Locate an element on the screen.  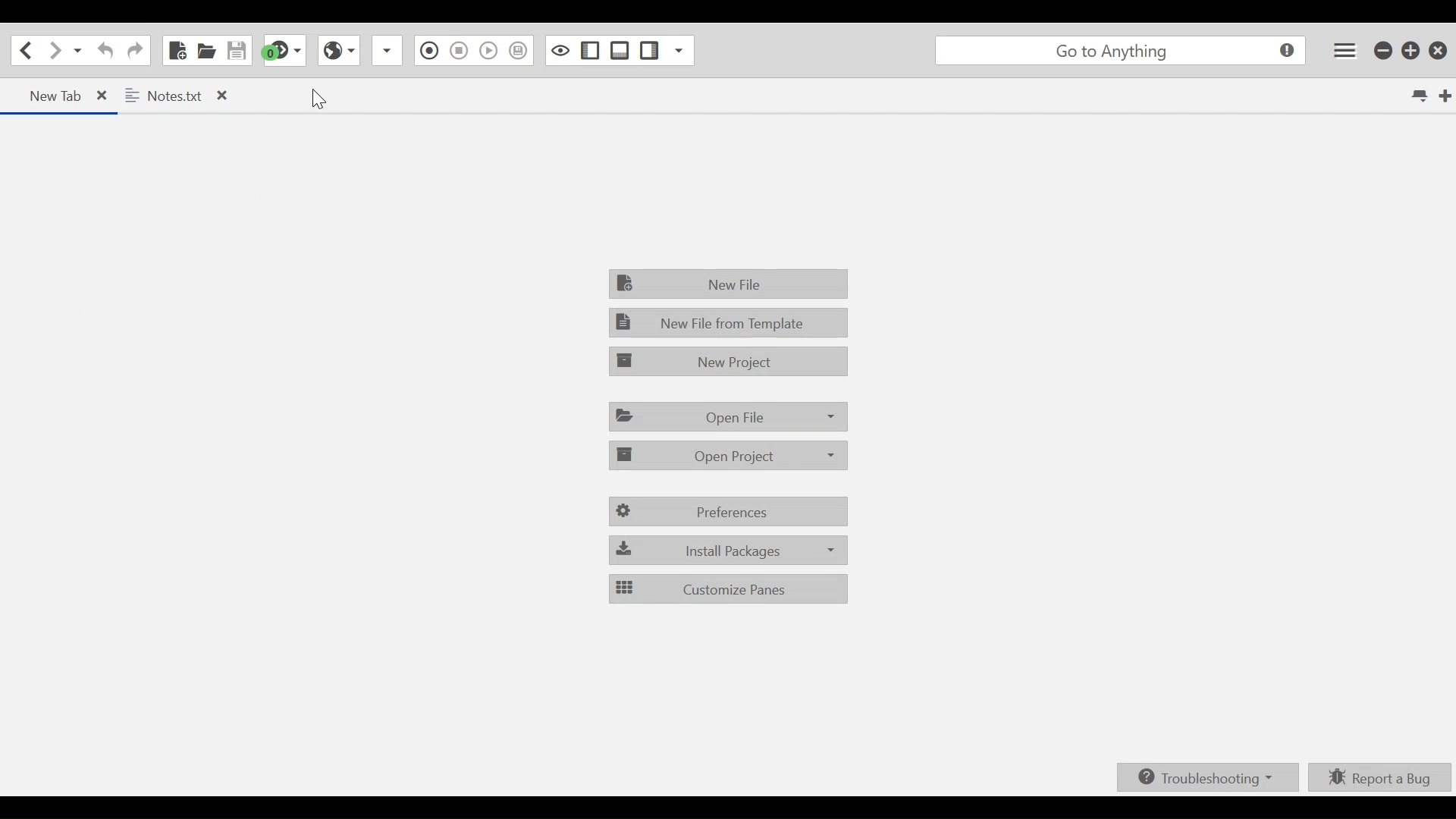
Sow/Hide Left Pane is located at coordinates (620, 49).